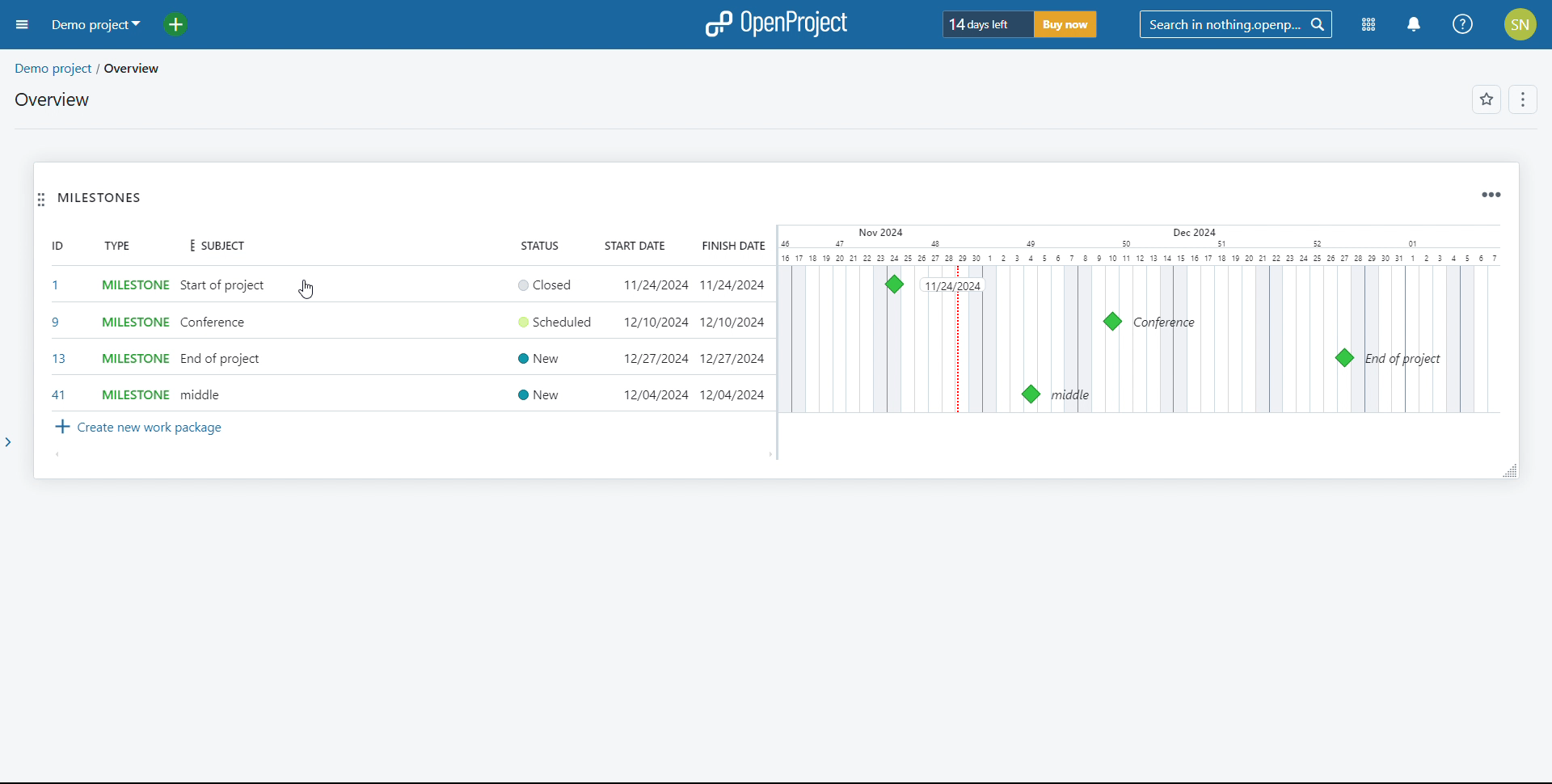  What do you see at coordinates (129, 322) in the screenshot?
I see `MILESTONE` at bounding box center [129, 322].